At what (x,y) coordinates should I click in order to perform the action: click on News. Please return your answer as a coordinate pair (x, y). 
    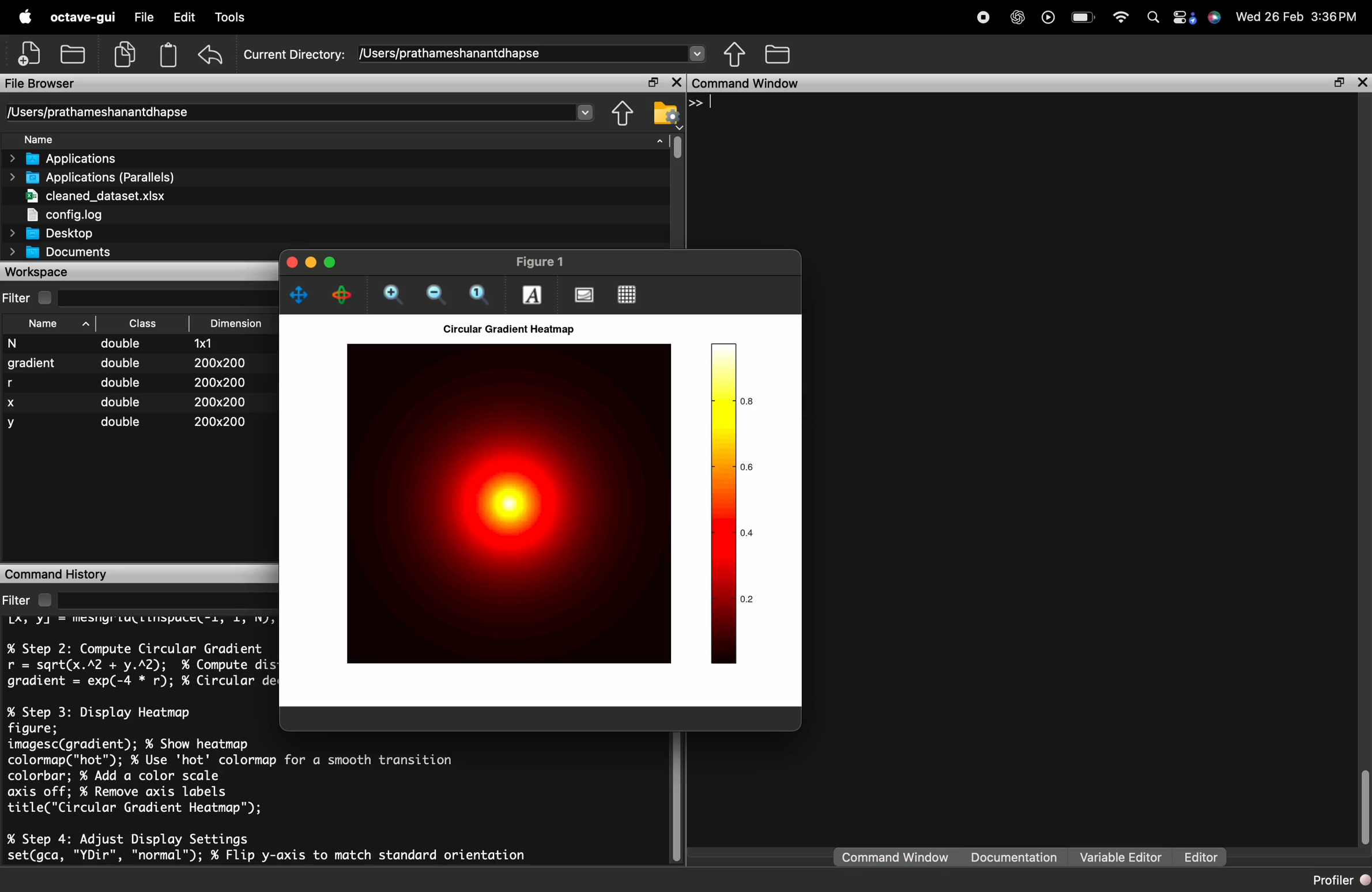
    Looking at the image, I should click on (444, 17).